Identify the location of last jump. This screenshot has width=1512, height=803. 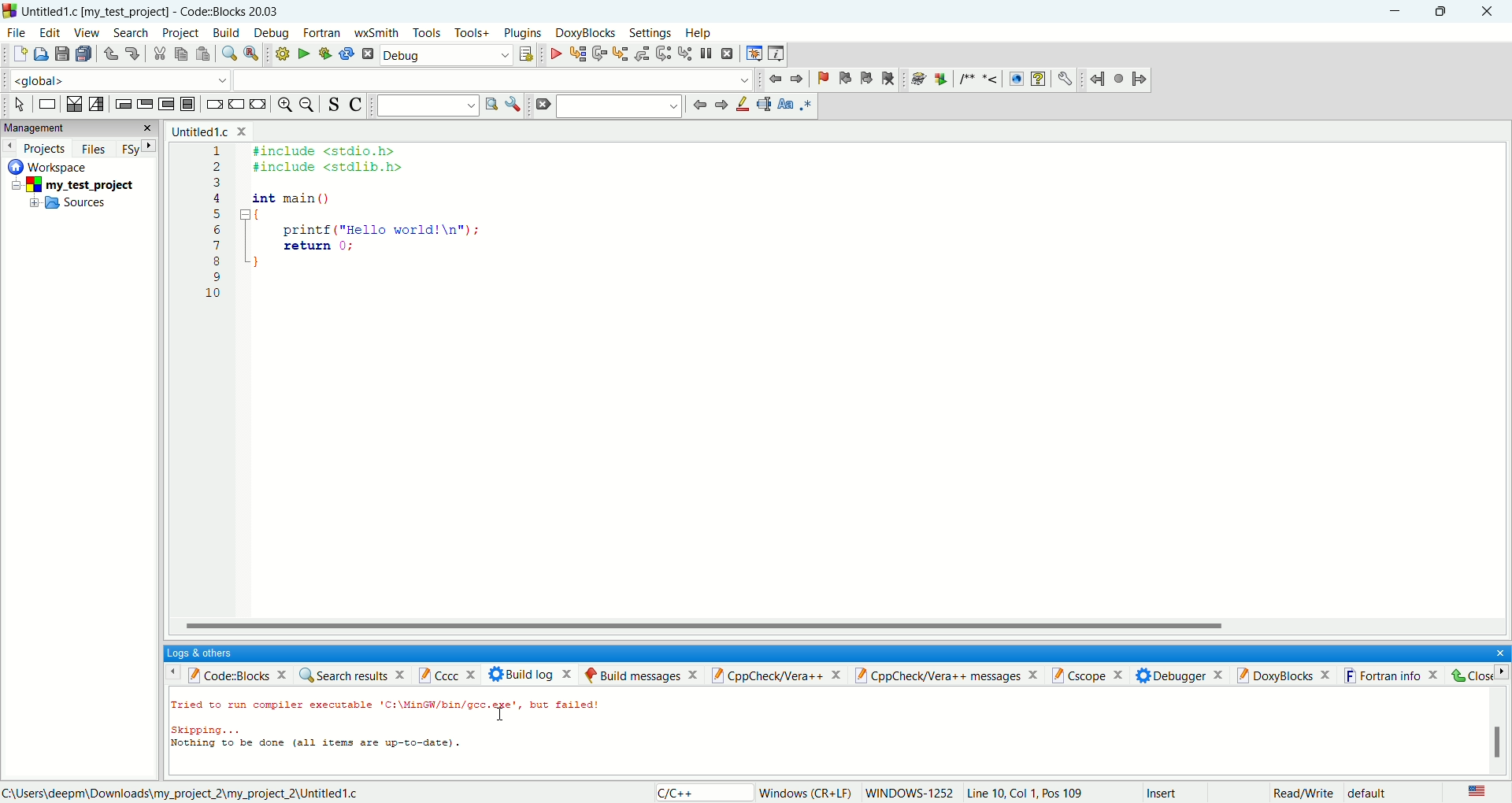
(1119, 78).